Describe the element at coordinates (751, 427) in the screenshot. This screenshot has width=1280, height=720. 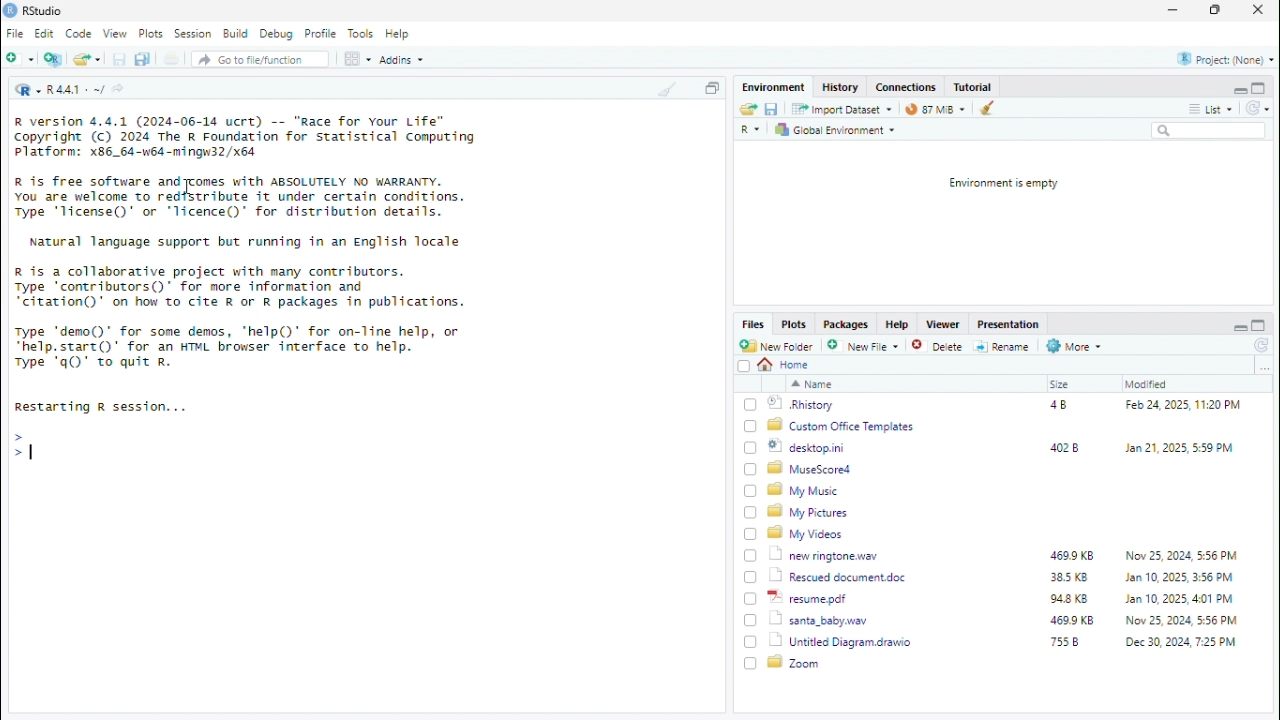
I see `Checkbox` at that location.